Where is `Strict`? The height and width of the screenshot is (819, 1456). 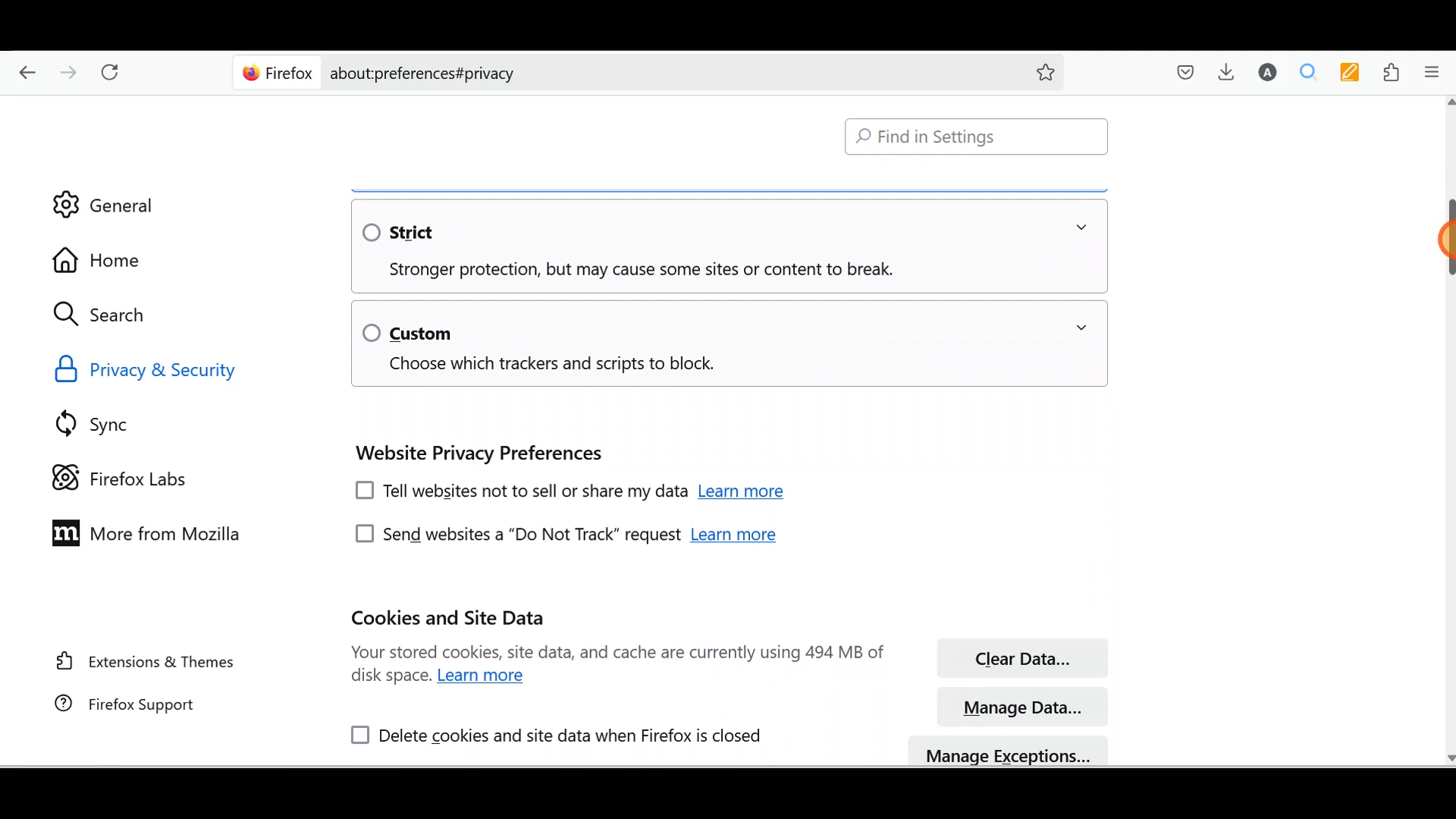
Strict is located at coordinates (412, 231).